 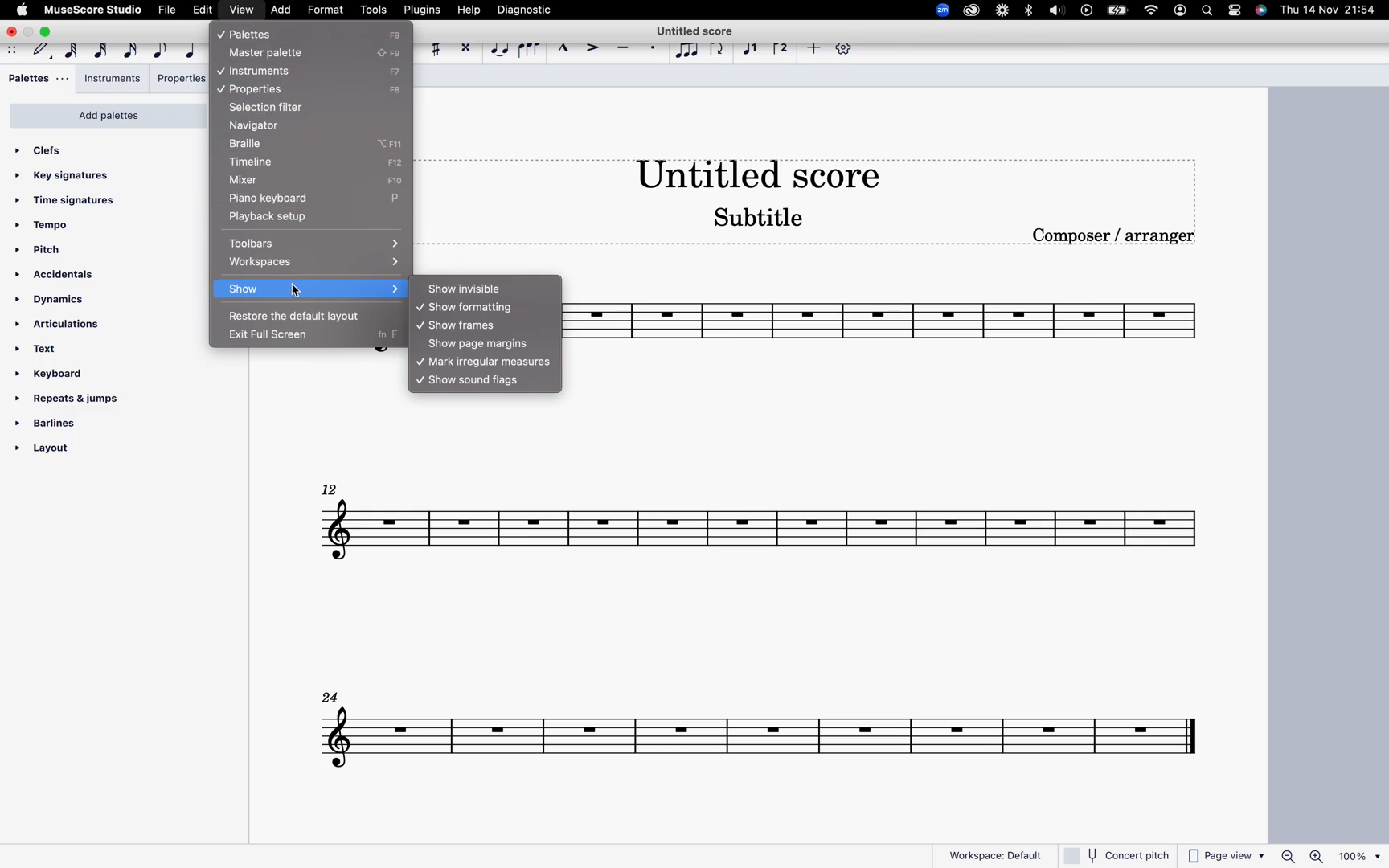 I want to click on instruments, so click(x=111, y=80).